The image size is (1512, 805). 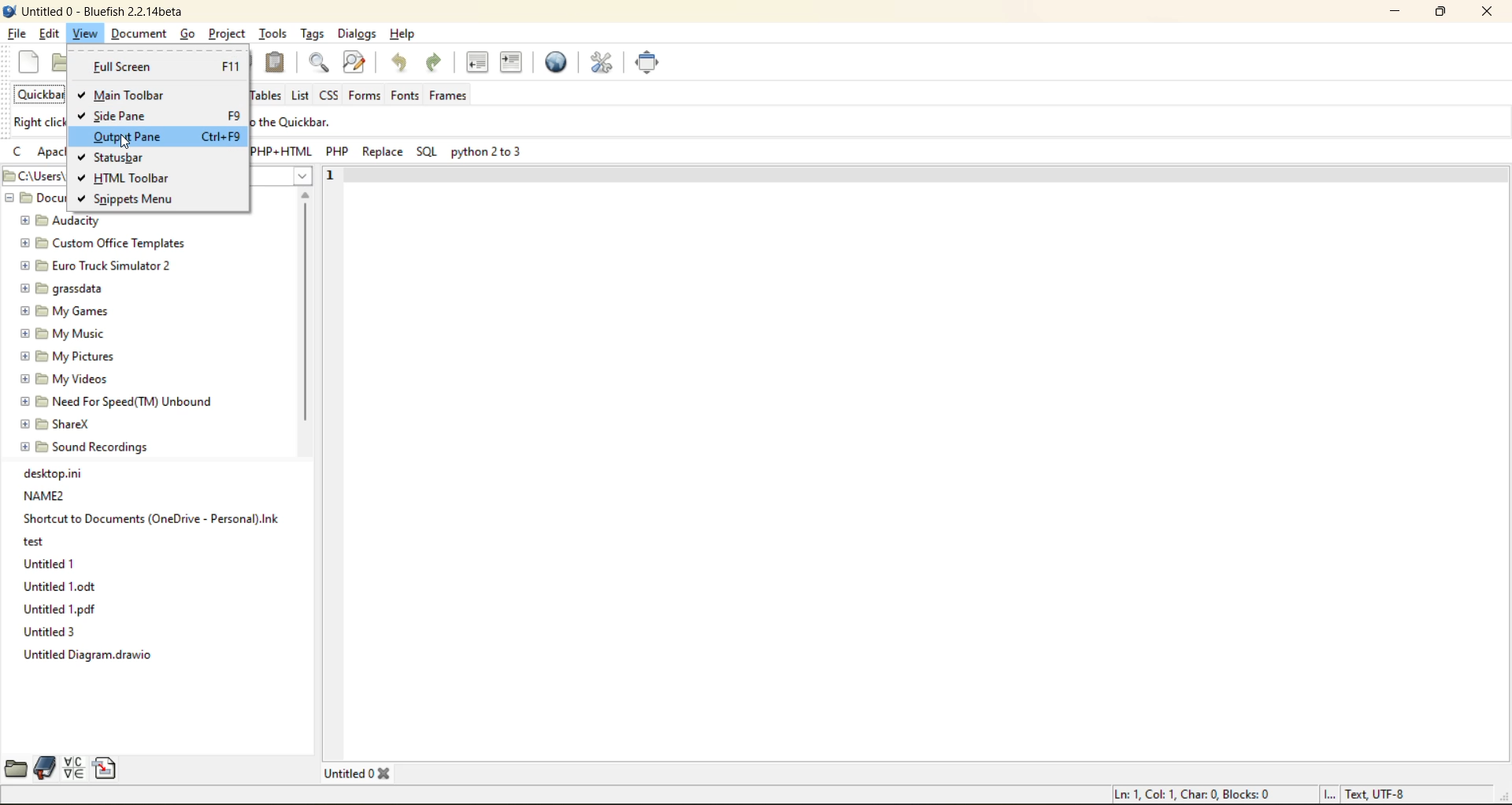 What do you see at coordinates (135, 176) in the screenshot?
I see `html toolbar` at bounding box center [135, 176].